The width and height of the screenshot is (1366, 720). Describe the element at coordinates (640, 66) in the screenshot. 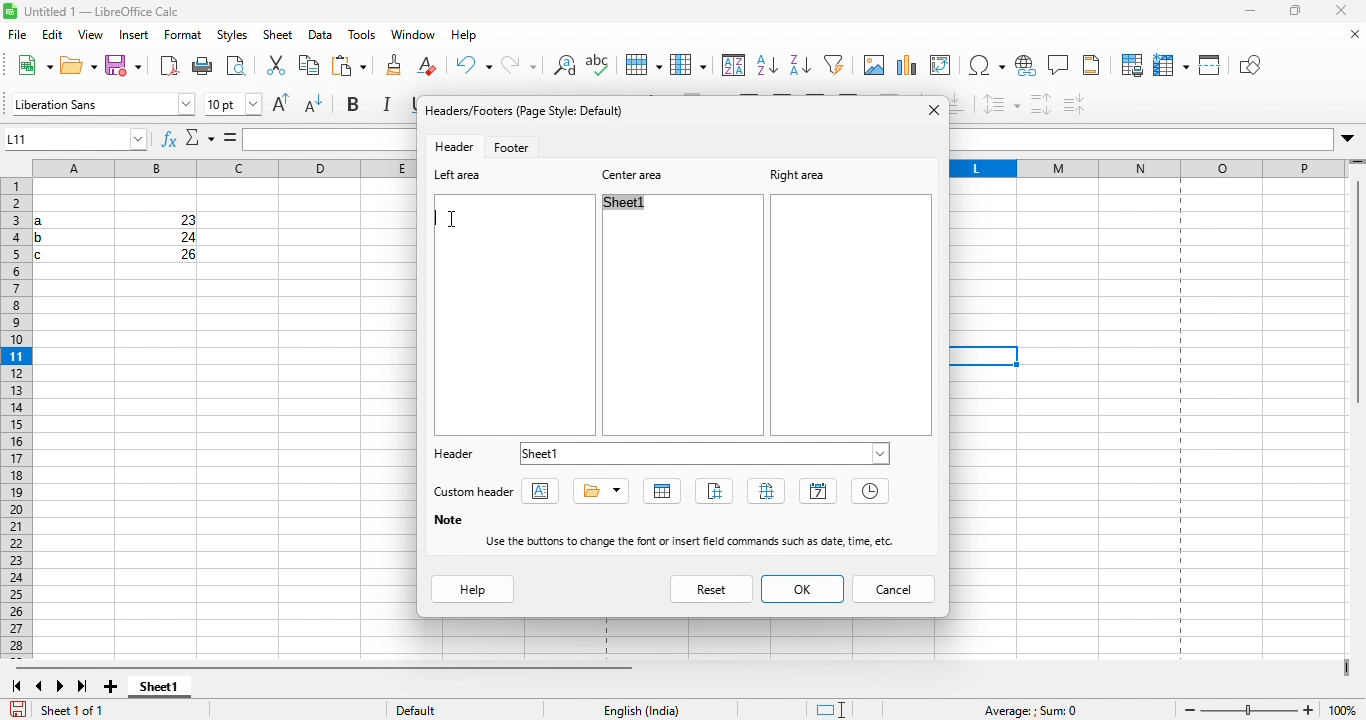

I see `column` at that location.